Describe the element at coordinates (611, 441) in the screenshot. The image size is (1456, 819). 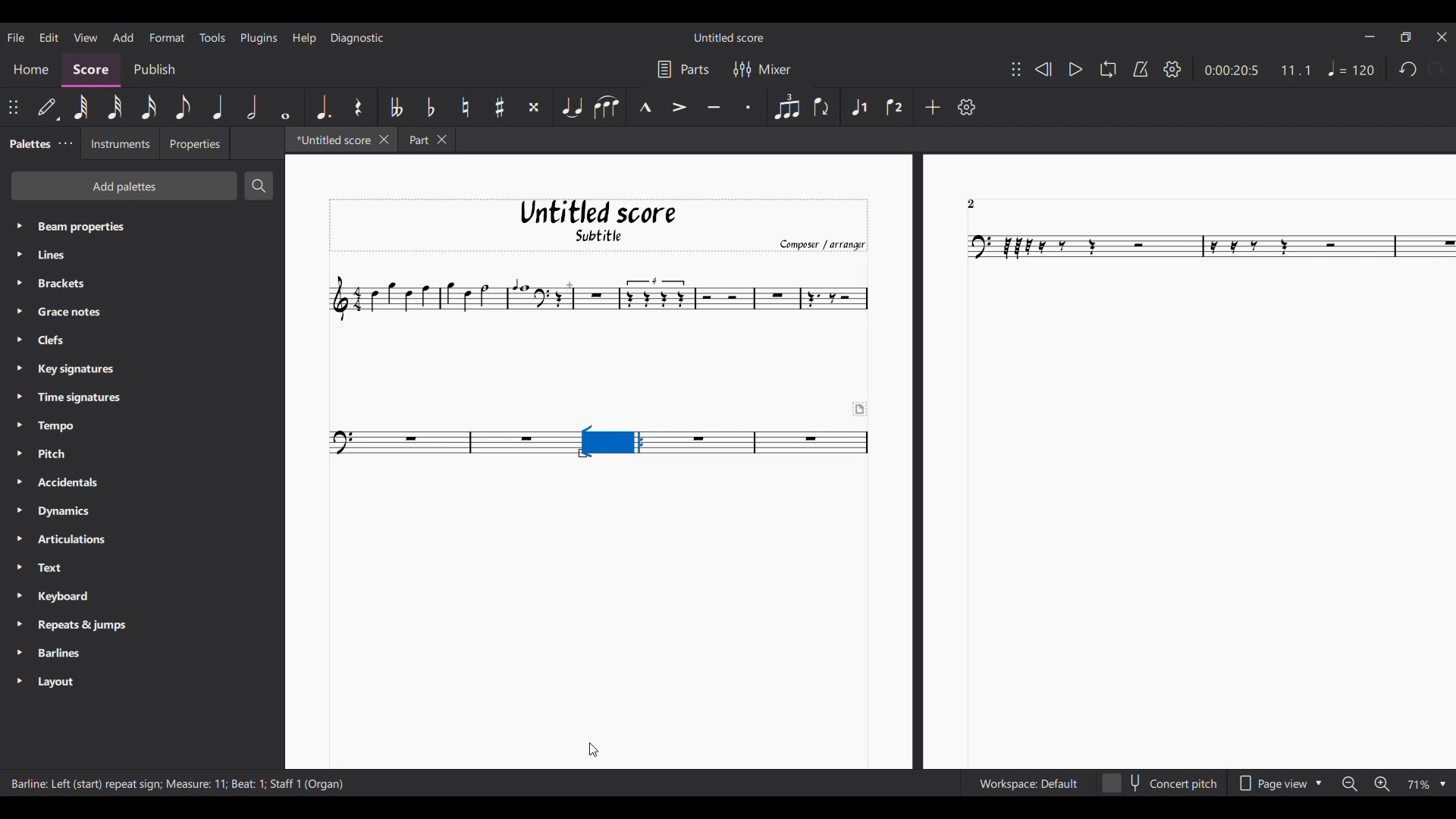
I see `Highlighted by cursor` at that location.